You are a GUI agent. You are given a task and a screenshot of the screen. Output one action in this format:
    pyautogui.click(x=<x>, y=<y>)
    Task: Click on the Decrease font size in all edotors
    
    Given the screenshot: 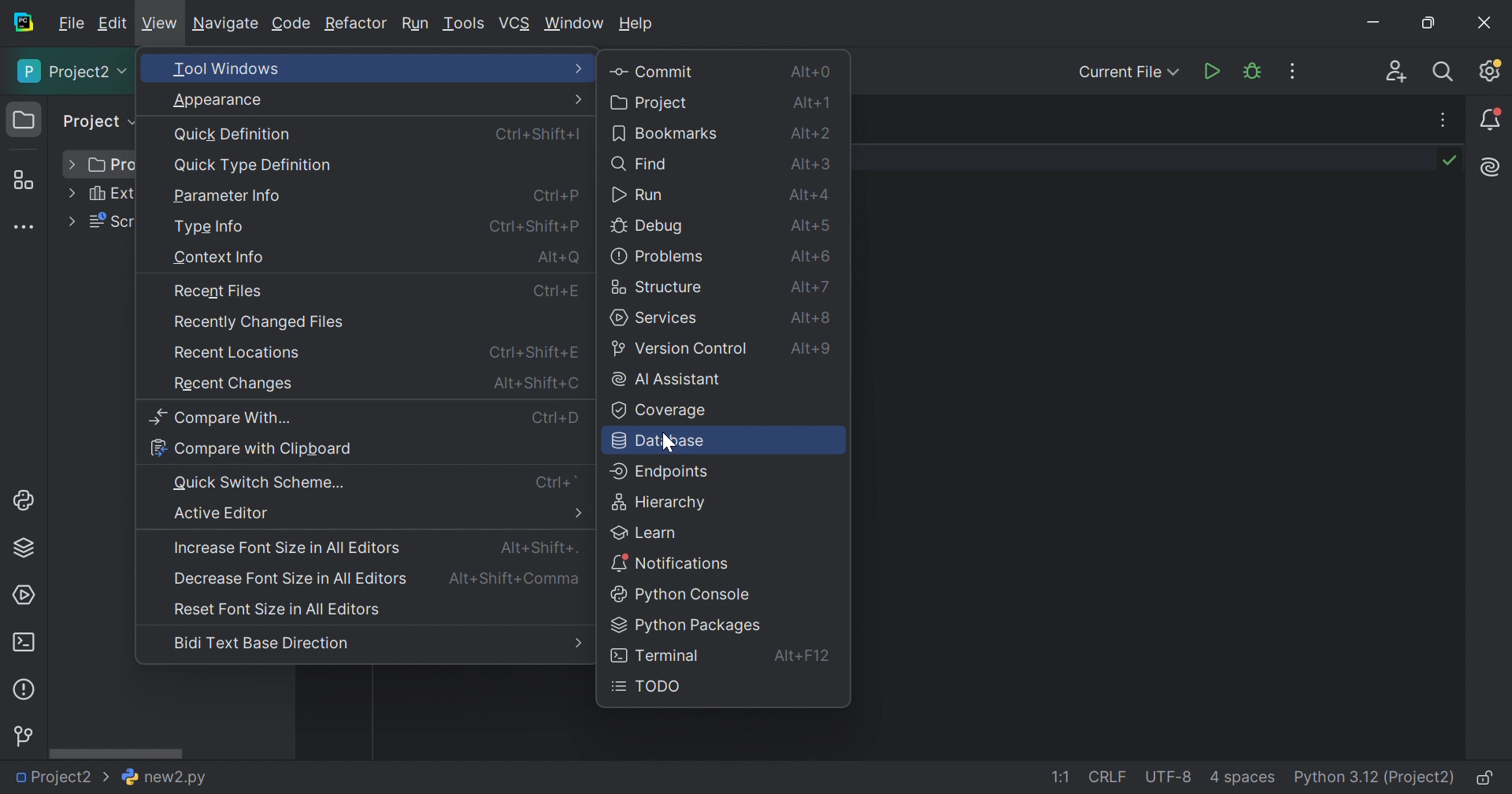 What is the action you would take?
    pyautogui.click(x=291, y=580)
    